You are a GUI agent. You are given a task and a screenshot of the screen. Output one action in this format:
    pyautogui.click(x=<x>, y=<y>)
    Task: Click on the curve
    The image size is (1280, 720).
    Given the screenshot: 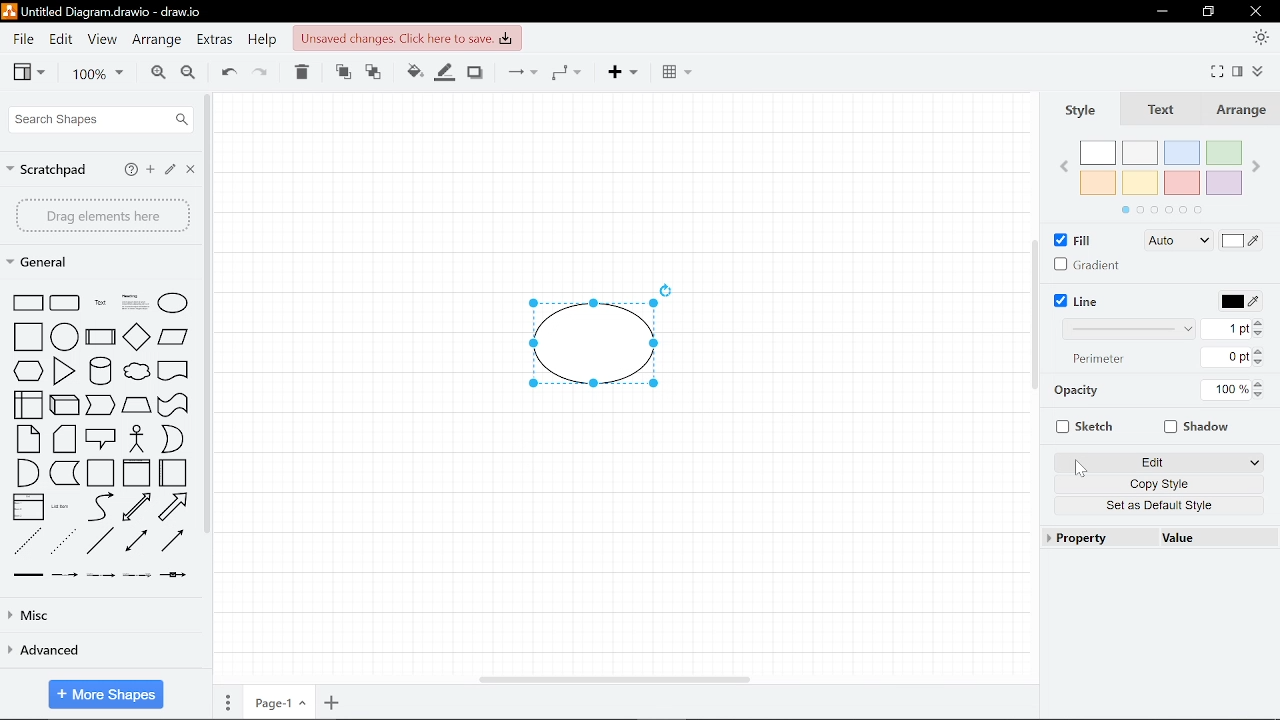 What is the action you would take?
    pyautogui.click(x=97, y=507)
    